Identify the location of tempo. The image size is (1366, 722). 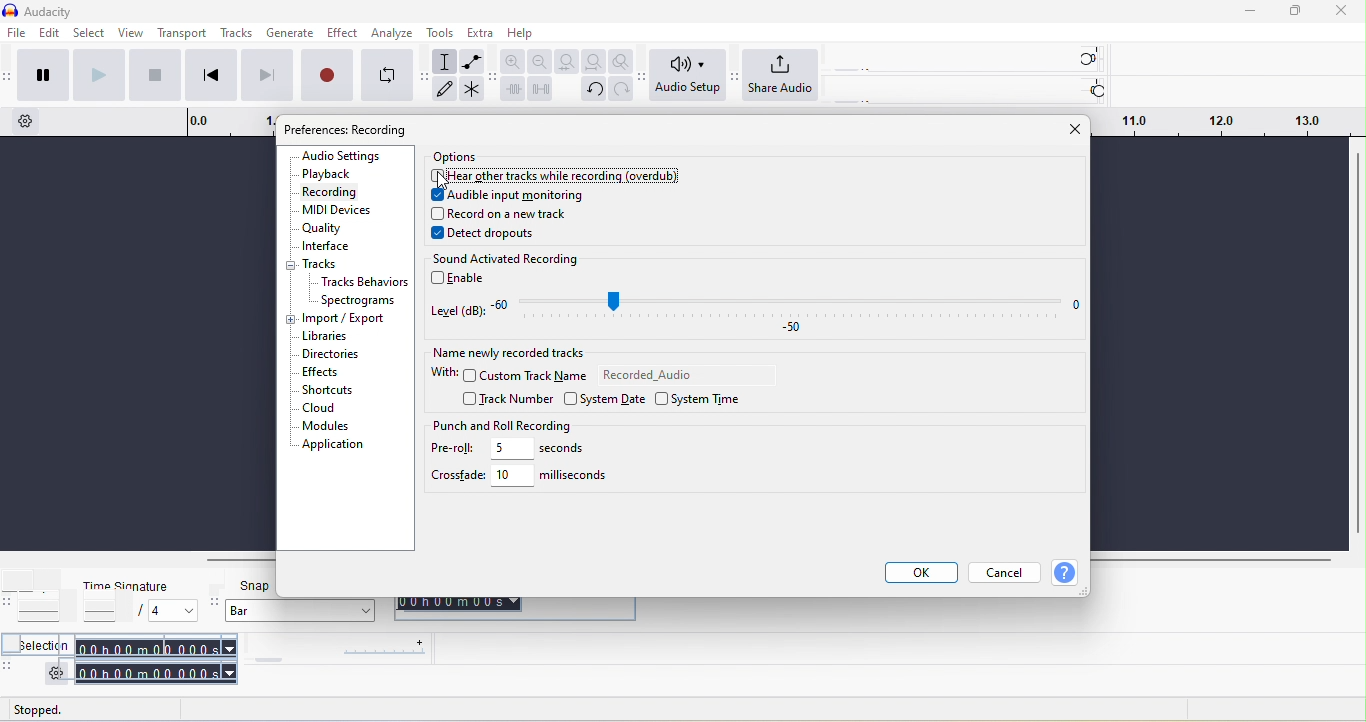
(49, 603).